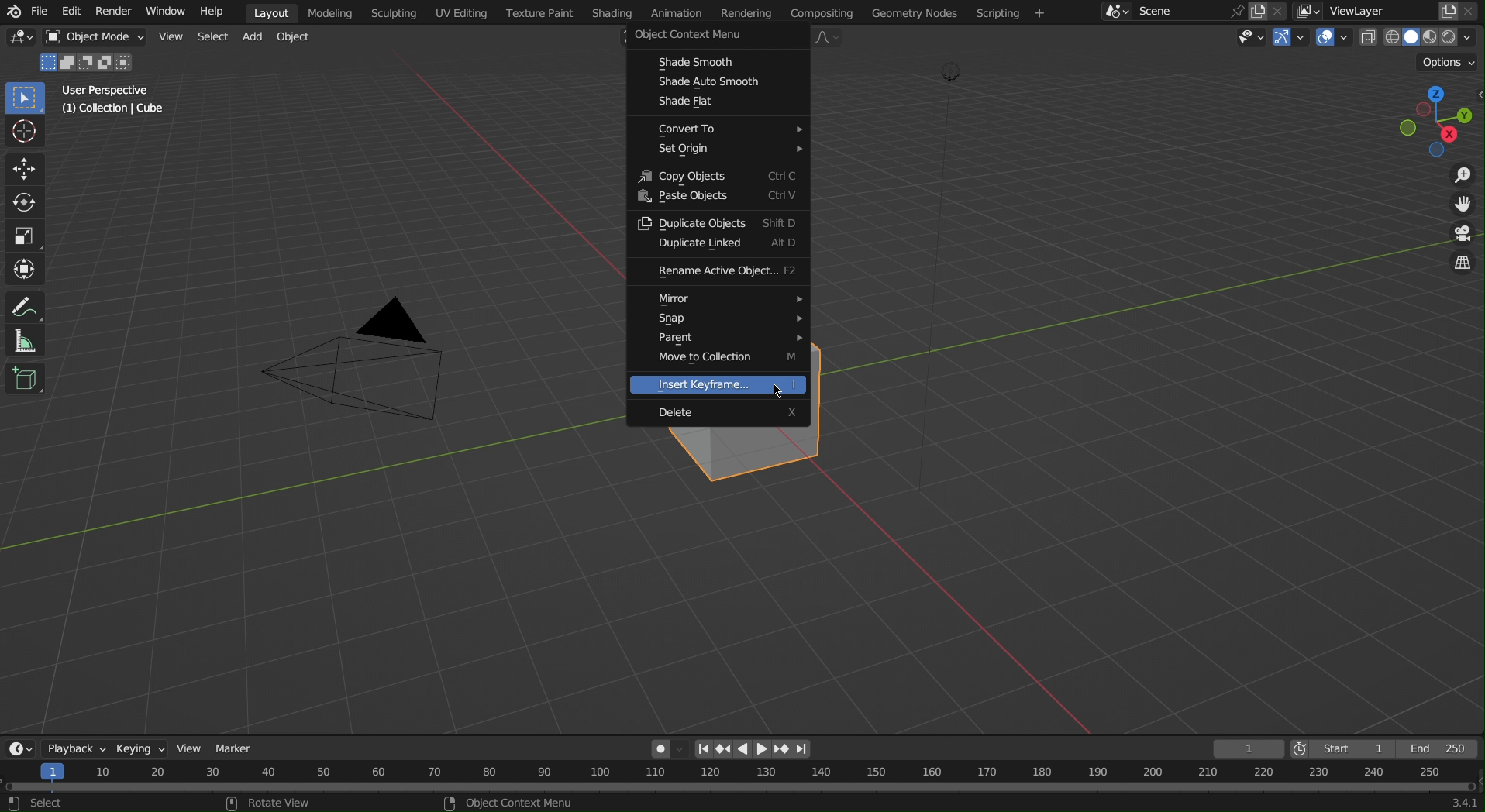  I want to click on Add, so click(253, 37).